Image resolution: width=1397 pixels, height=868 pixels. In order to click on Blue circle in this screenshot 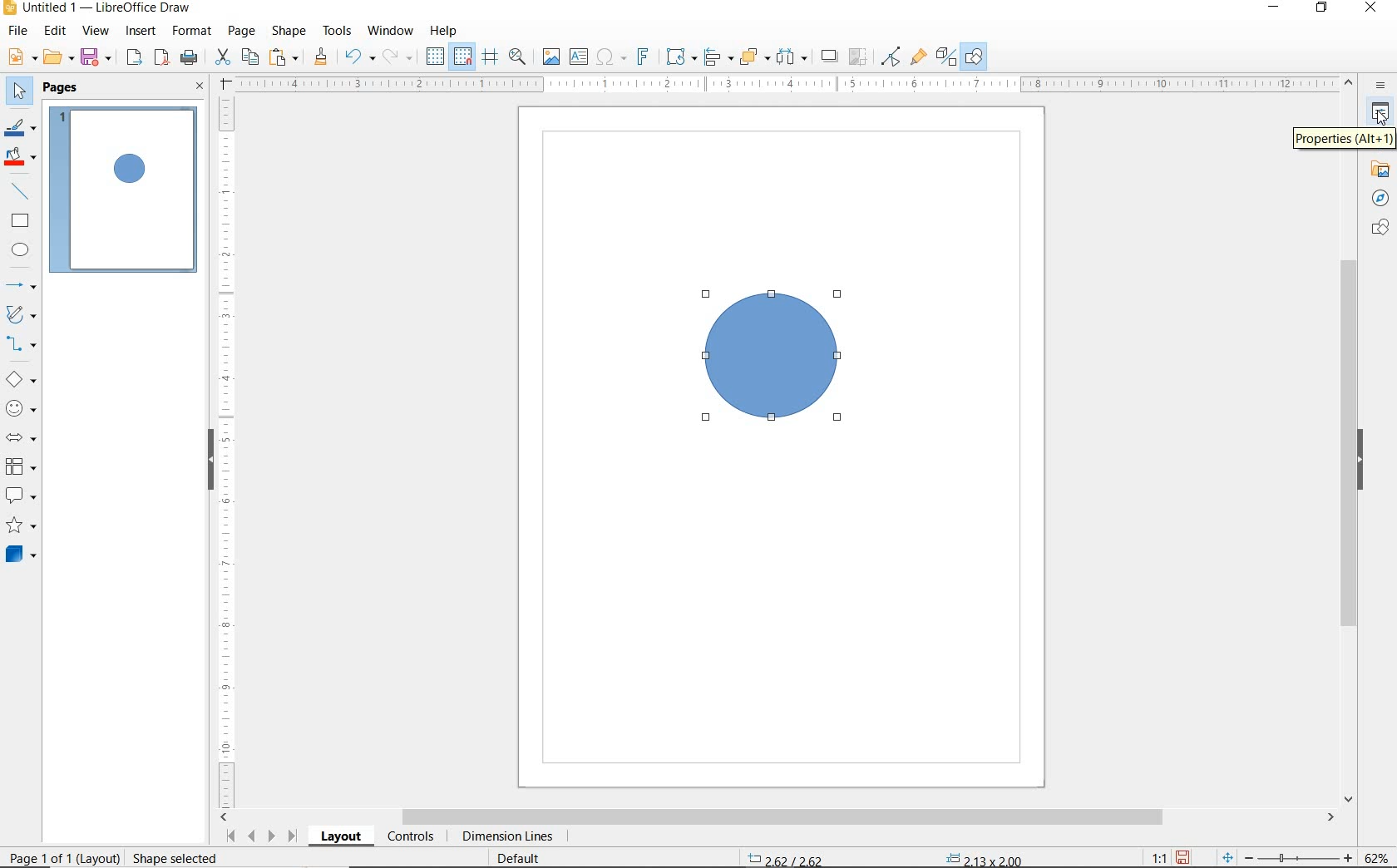, I will do `click(772, 354)`.